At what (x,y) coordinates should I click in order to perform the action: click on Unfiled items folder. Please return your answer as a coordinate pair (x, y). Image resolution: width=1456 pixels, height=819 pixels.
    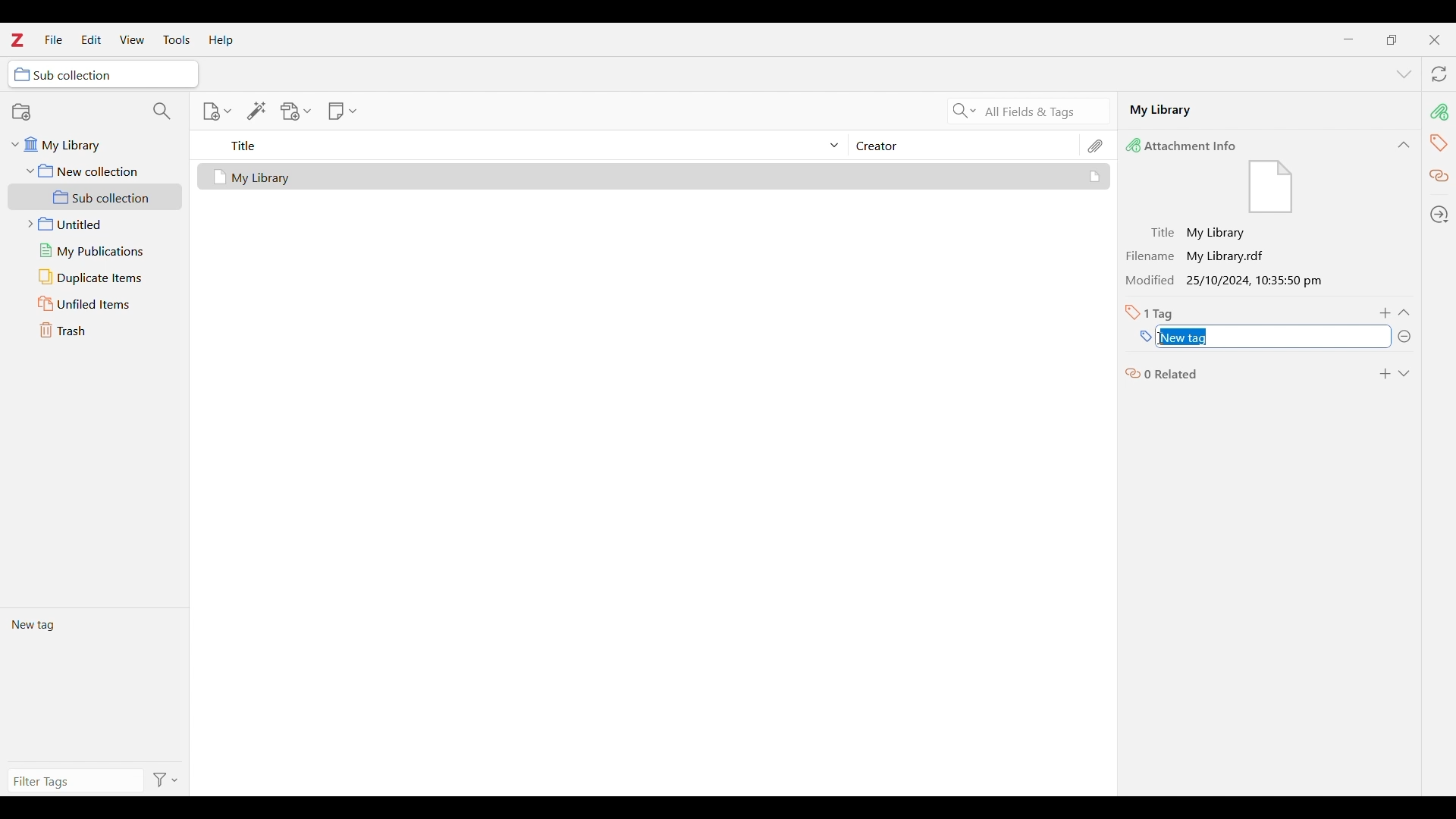
    Looking at the image, I should click on (95, 303).